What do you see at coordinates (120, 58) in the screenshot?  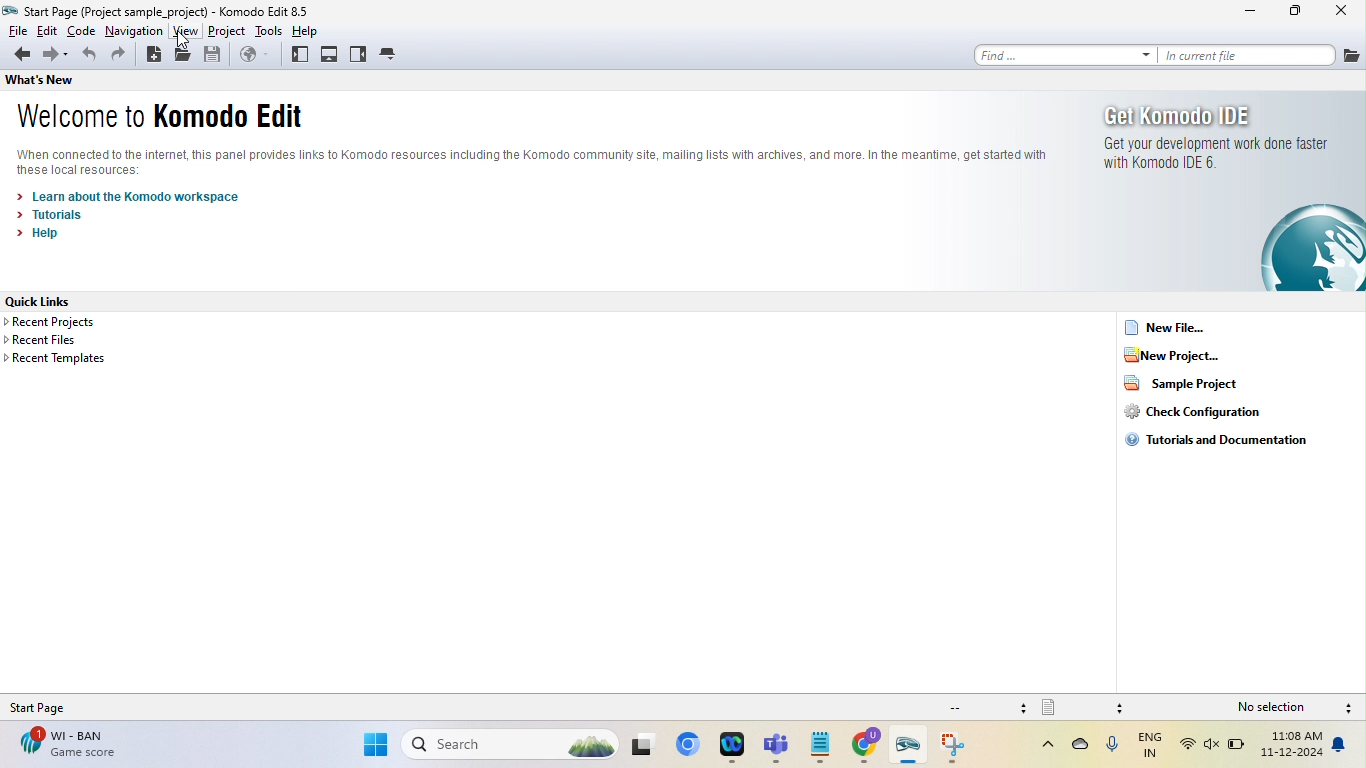 I see `redo` at bounding box center [120, 58].